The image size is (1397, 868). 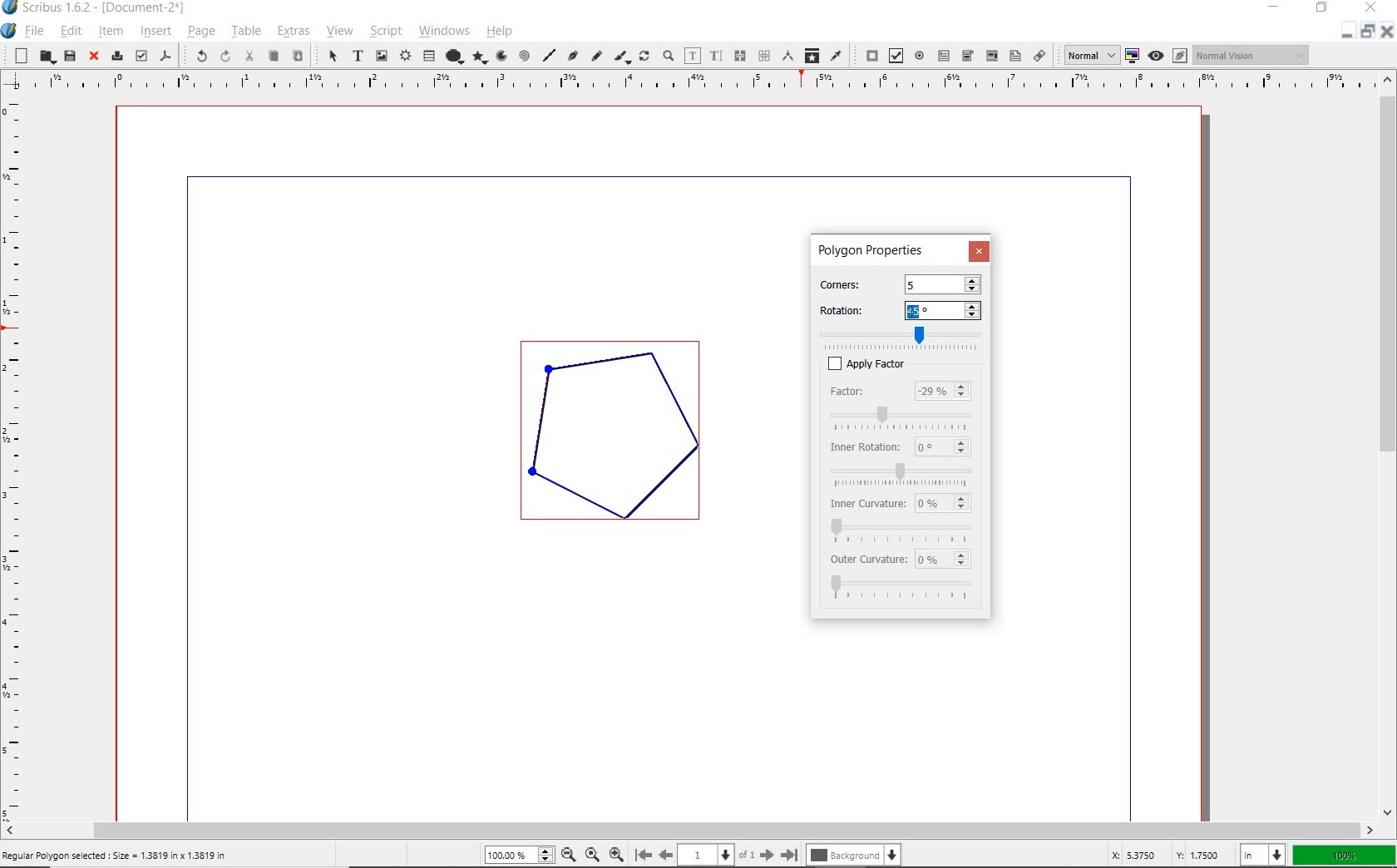 I want to click on restore, so click(x=1323, y=9).